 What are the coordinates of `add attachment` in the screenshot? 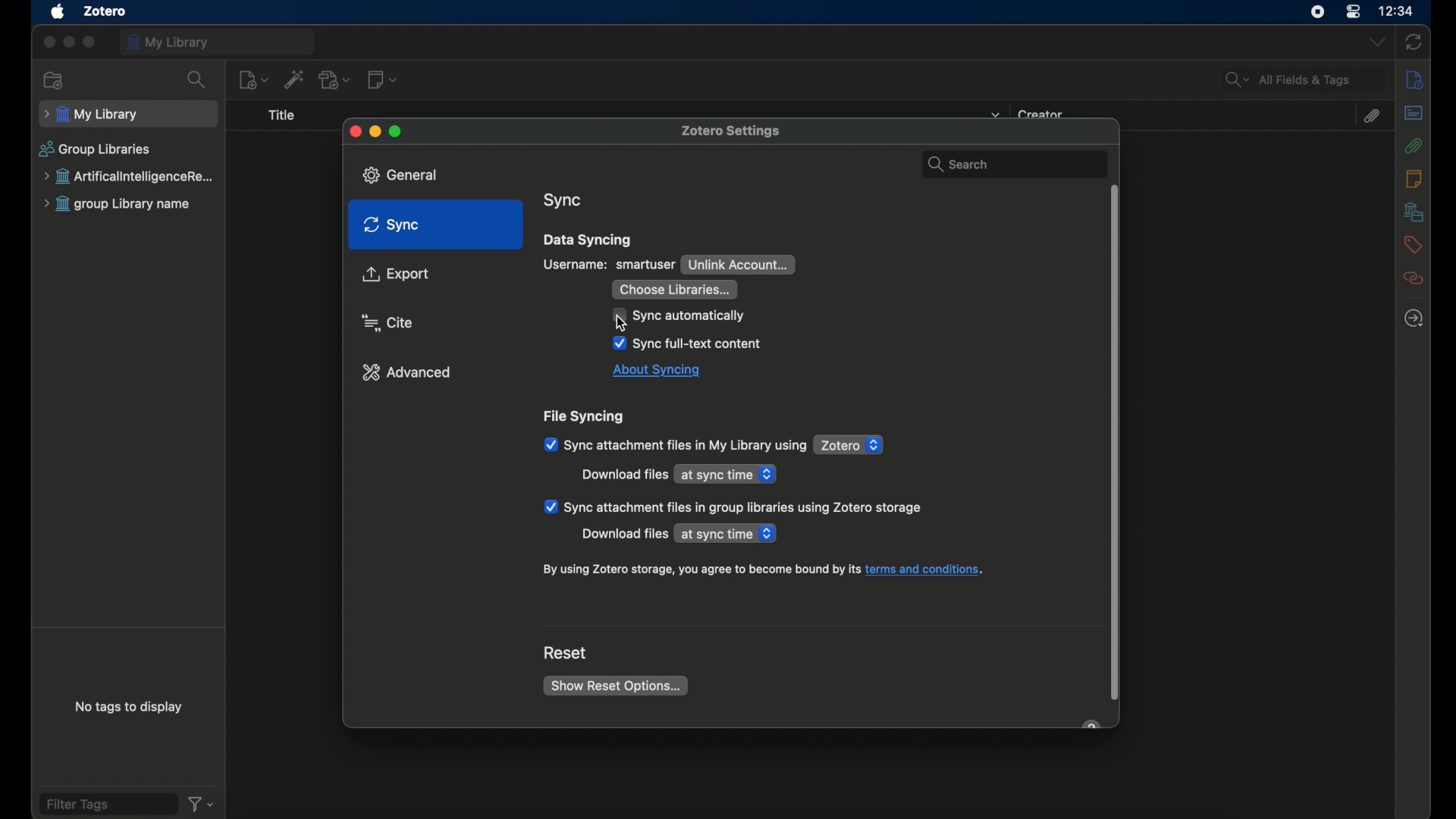 It's located at (336, 80).